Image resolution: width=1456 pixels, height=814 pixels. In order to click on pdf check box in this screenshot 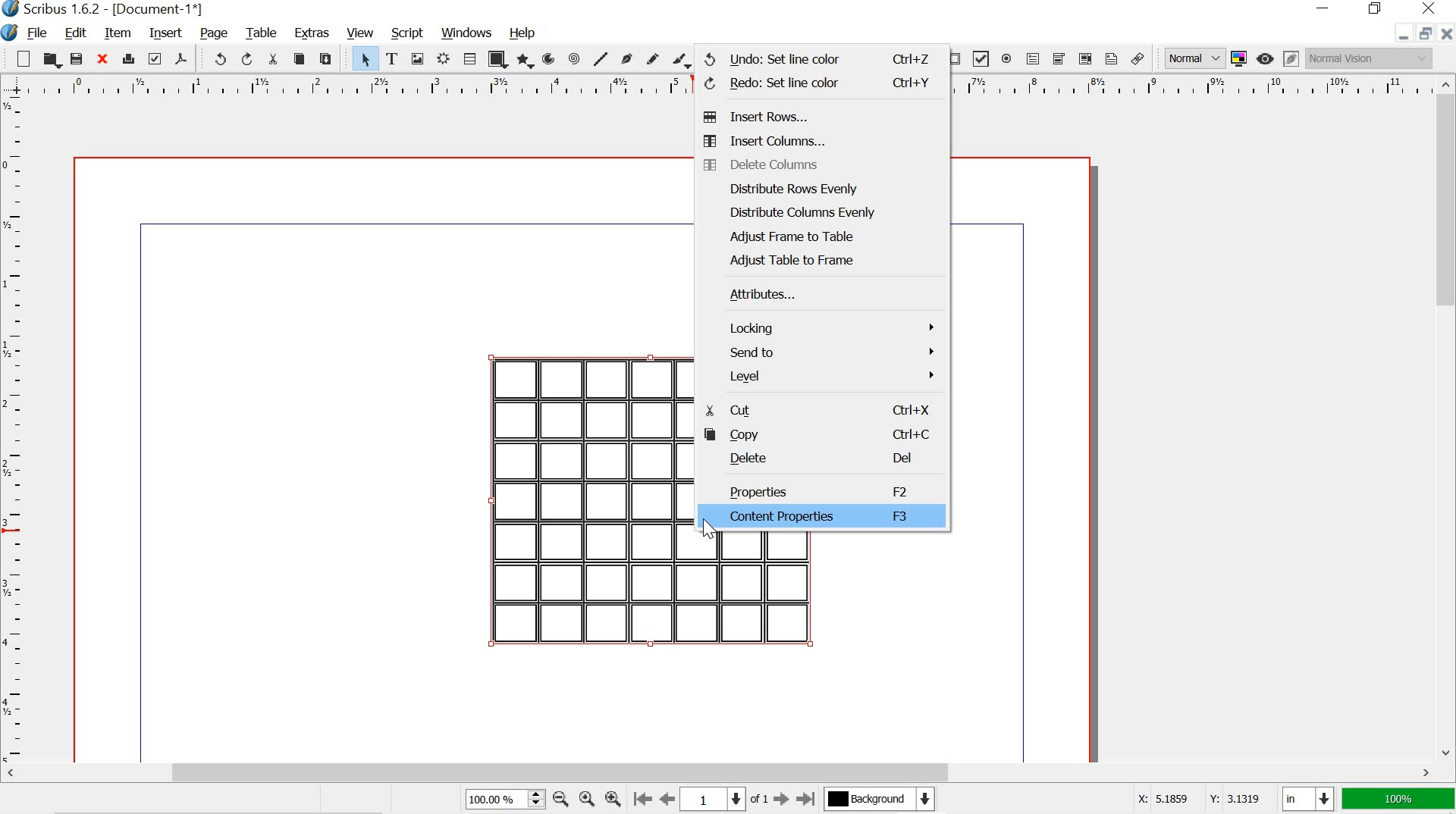, I will do `click(982, 58)`.